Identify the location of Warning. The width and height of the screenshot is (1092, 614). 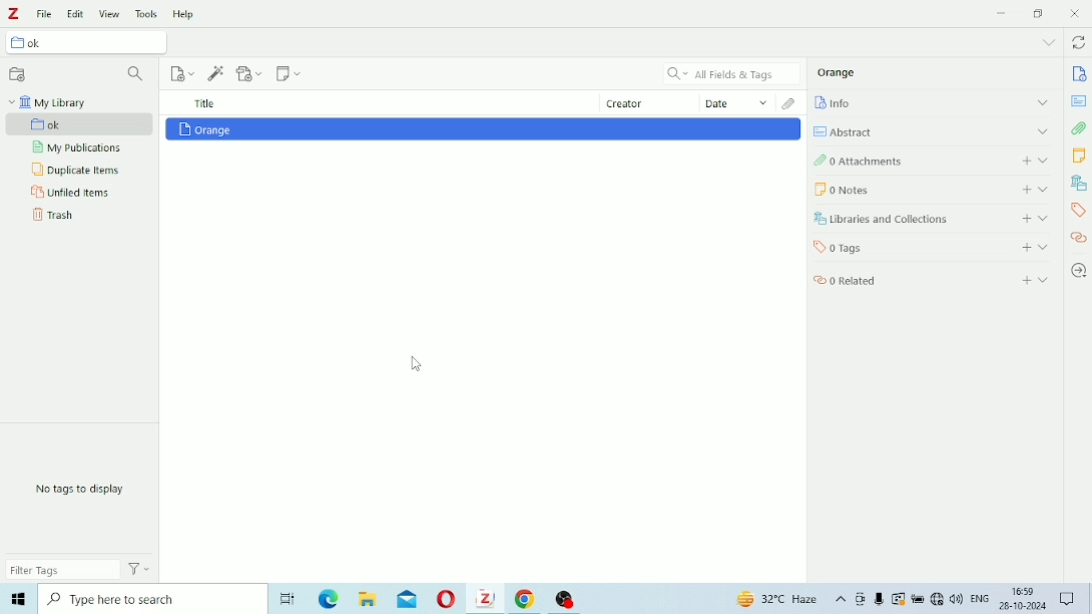
(899, 599).